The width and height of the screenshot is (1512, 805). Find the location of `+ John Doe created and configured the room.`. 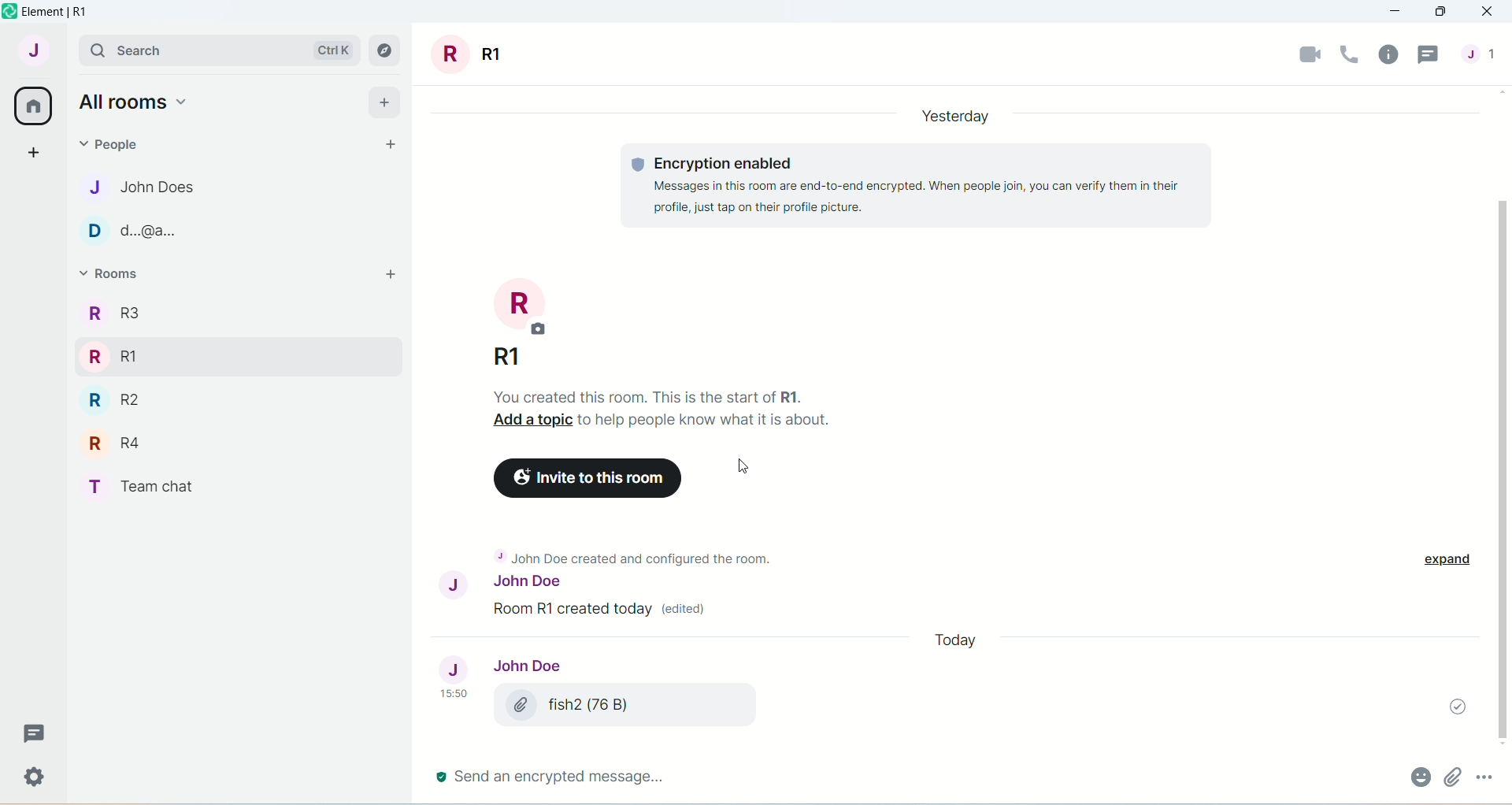

+ John Doe created and configured the room. is located at coordinates (663, 557).